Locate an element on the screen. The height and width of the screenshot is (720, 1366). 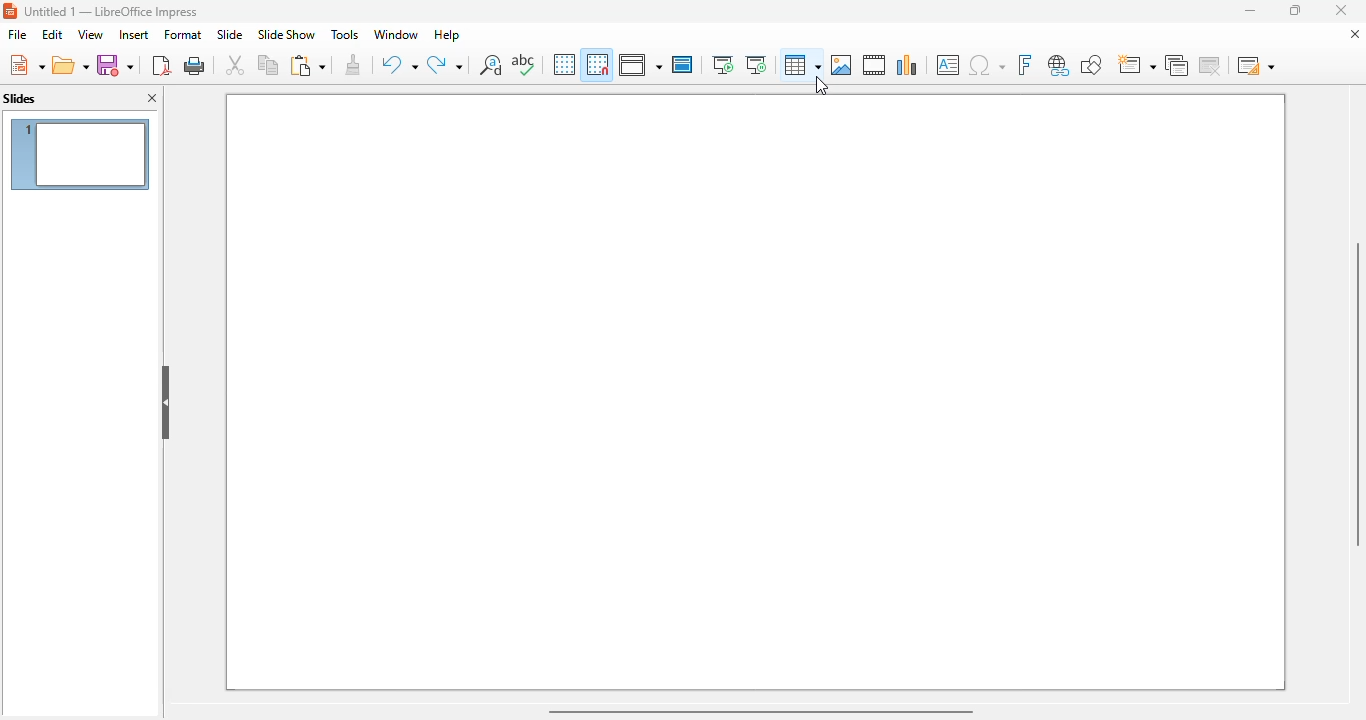
master slide is located at coordinates (682, 64).